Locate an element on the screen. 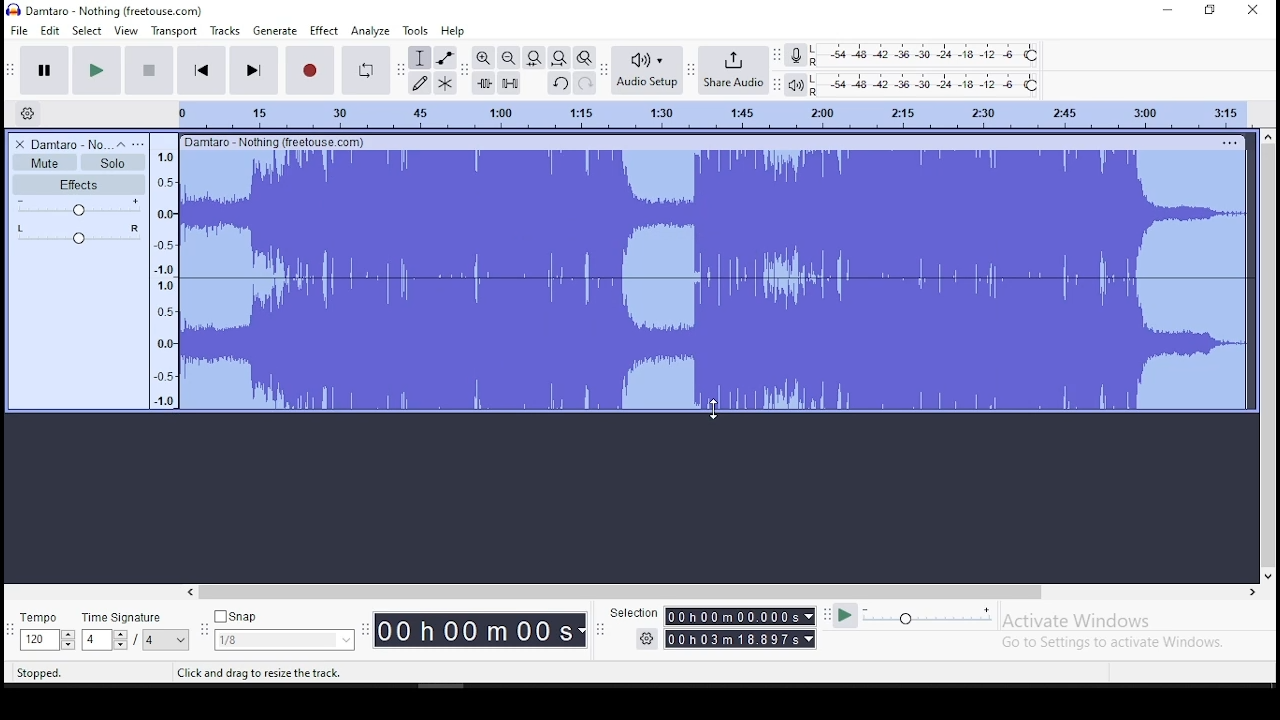  Maximize is located at coordinates (1210, 12).